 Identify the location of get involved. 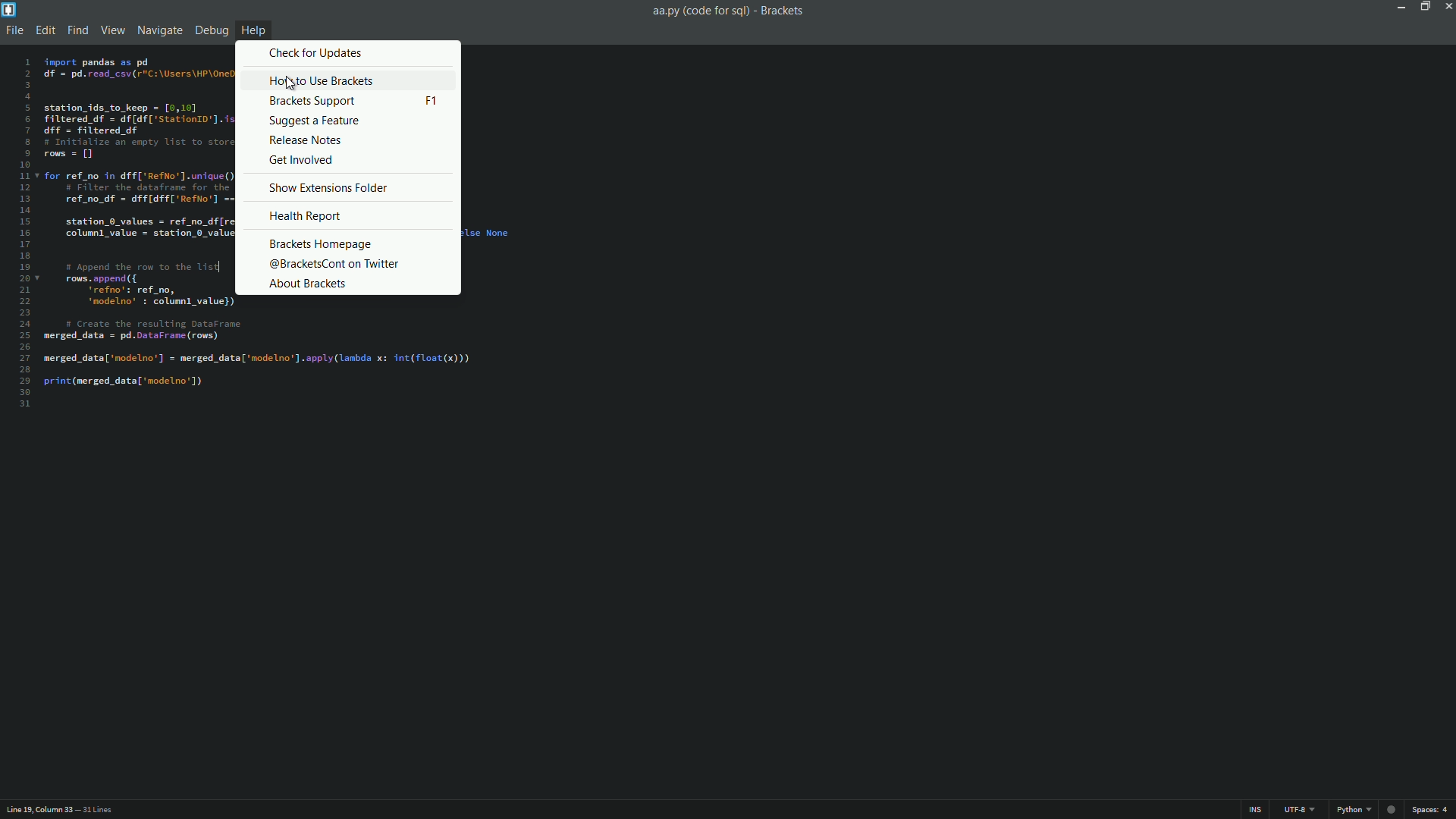
(302, 160).